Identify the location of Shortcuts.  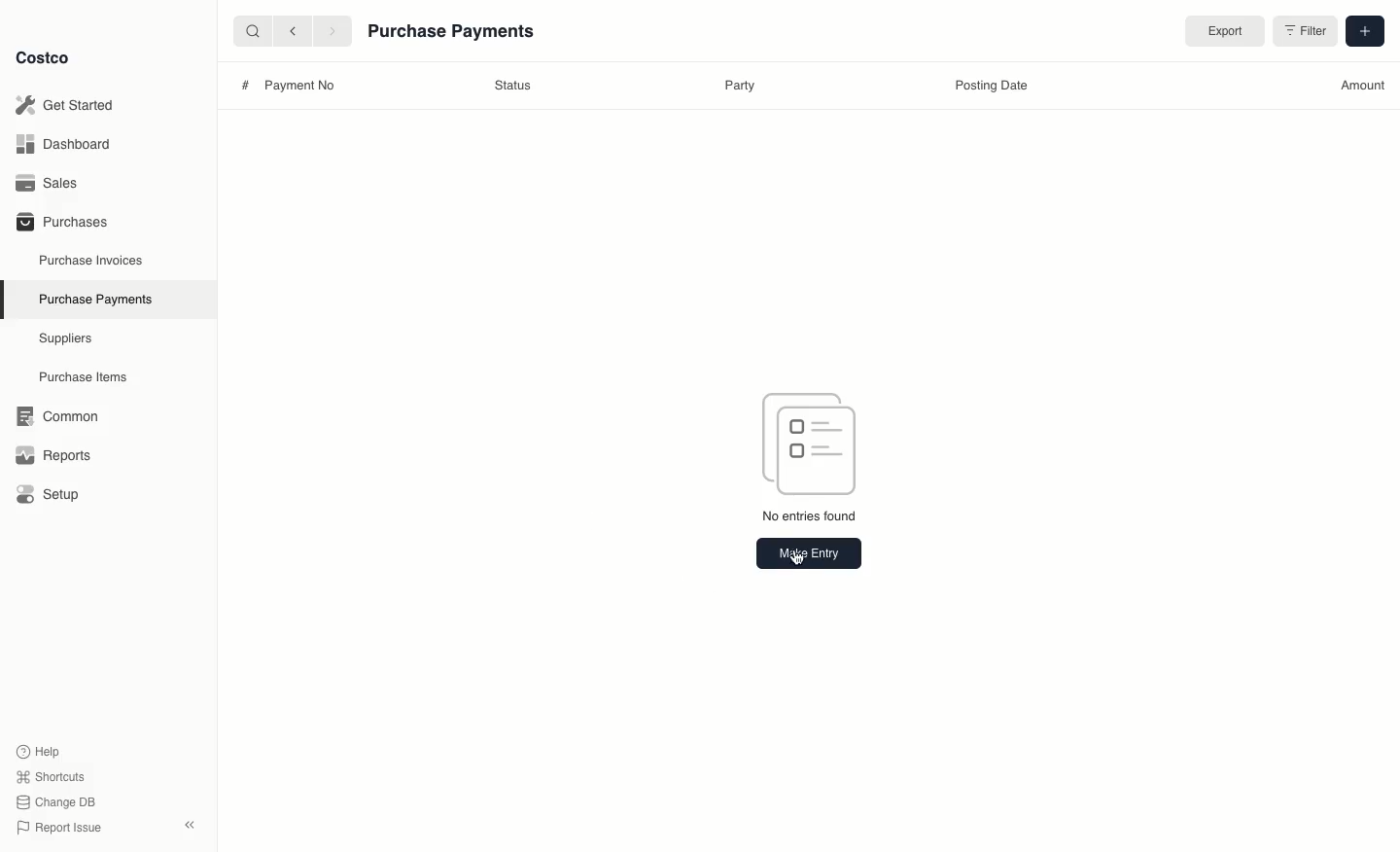
(50, 775).